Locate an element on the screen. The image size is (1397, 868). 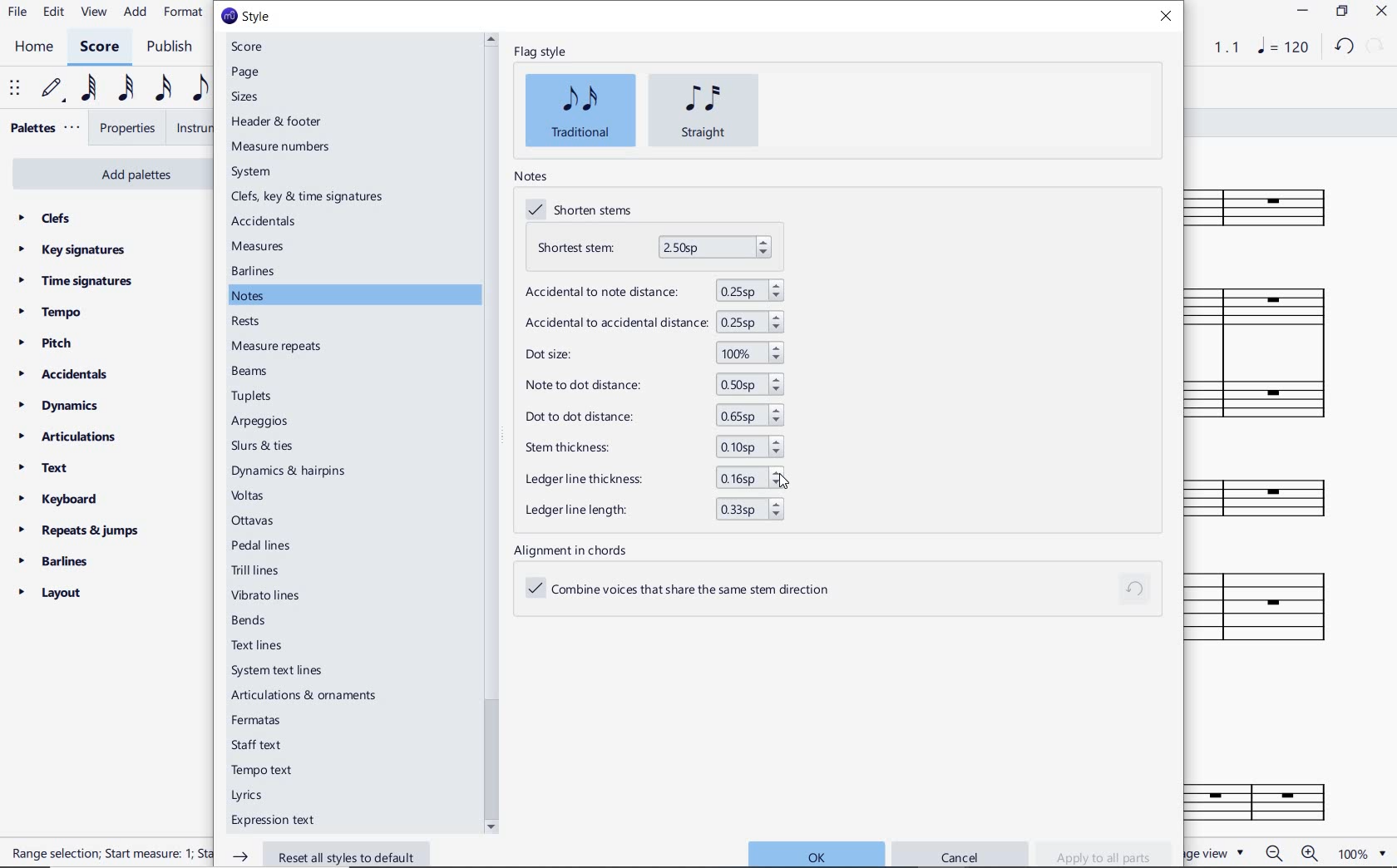
page view is located at coordinates (1215, 852).